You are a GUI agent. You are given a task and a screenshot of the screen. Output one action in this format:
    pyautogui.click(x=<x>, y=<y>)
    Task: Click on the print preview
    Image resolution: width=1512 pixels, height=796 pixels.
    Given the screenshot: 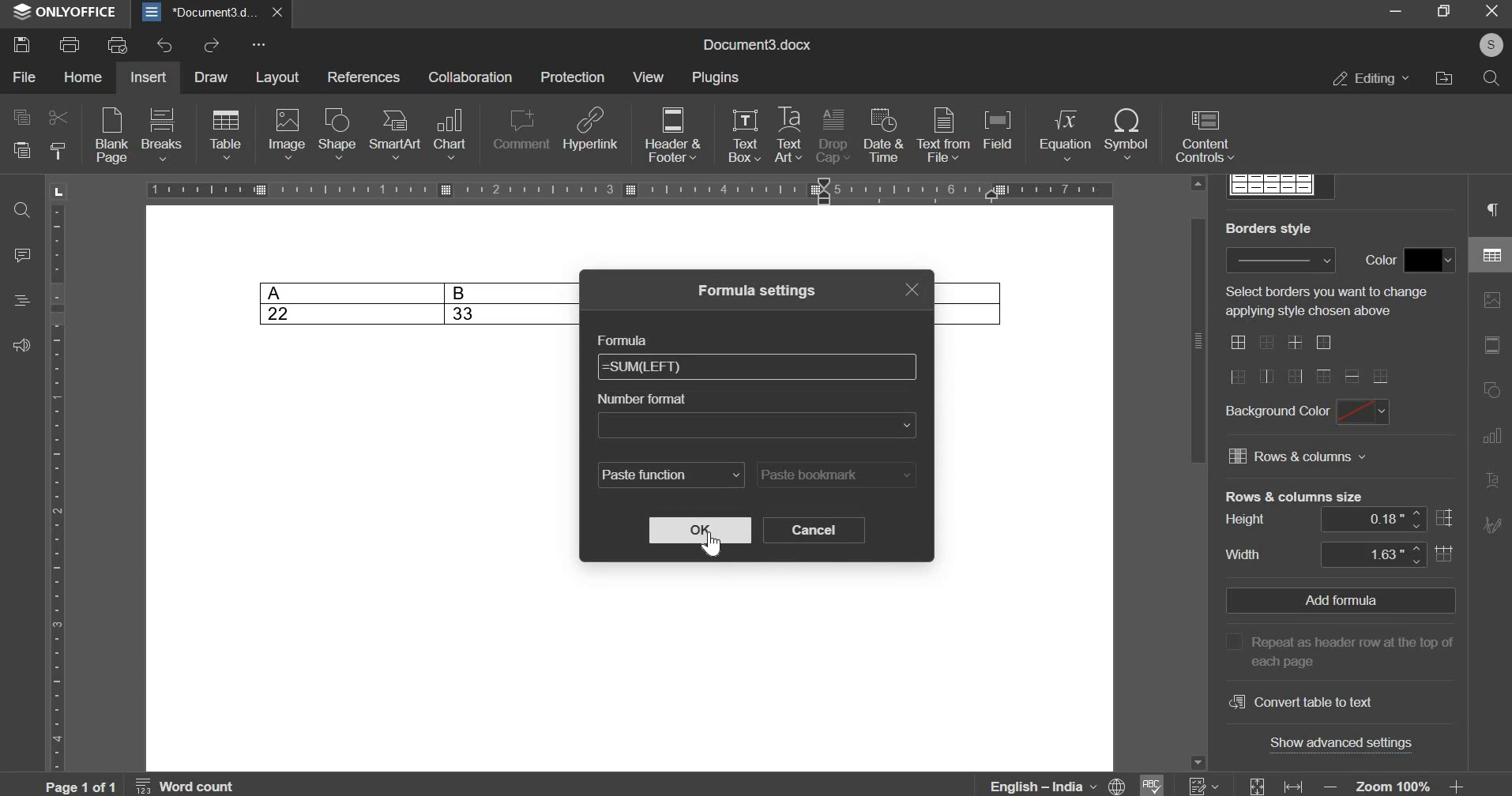 What is the action you would take?
    pyautogui.click(x=119, y=43)
    